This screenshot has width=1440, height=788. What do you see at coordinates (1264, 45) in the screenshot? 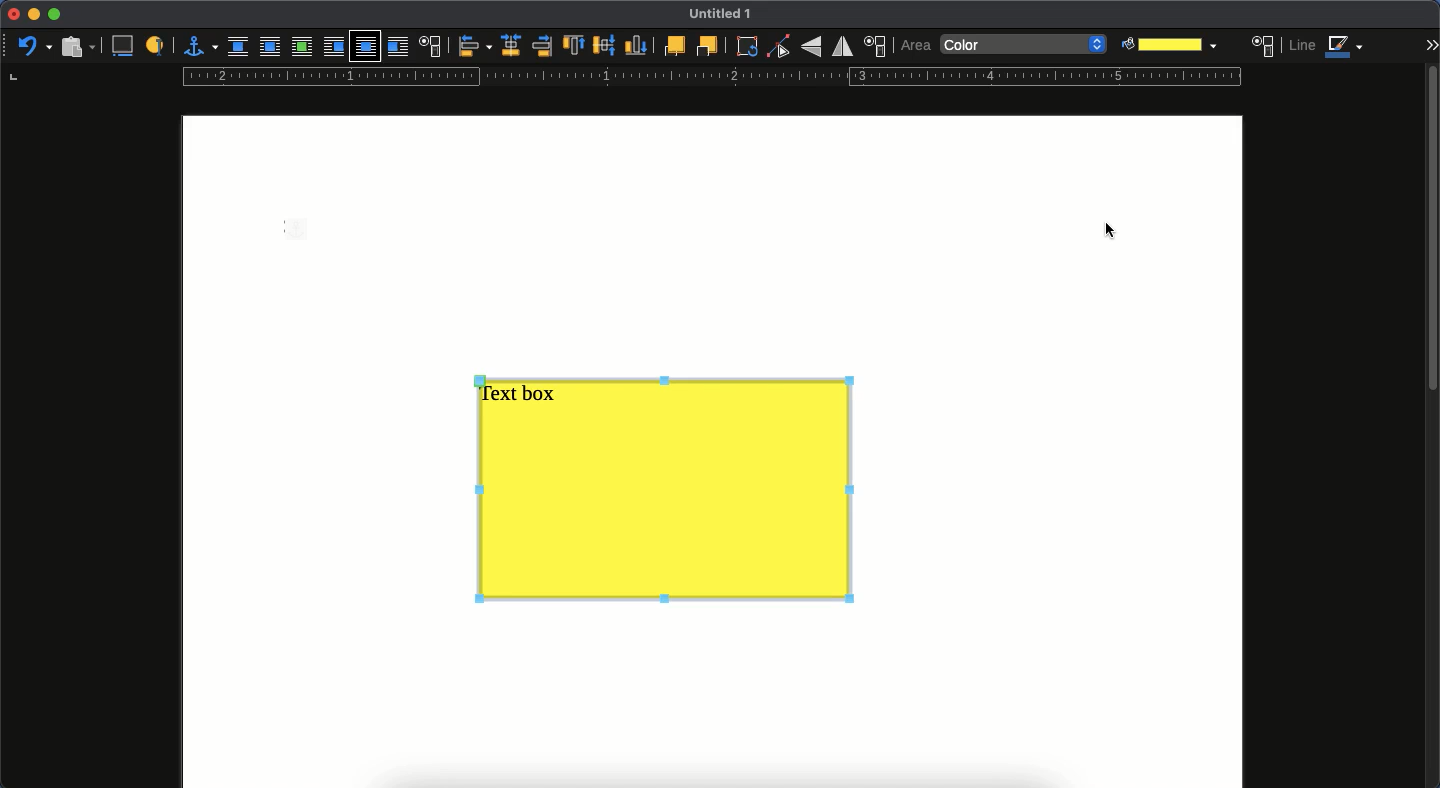
I see `area` at bounding box center [1264, 45].